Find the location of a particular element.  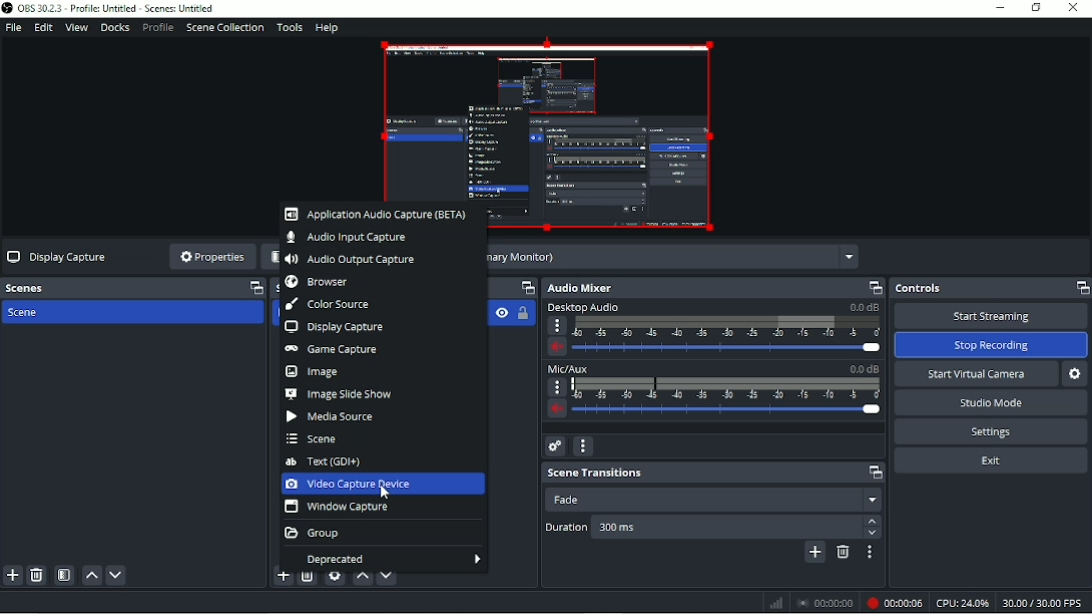

Open source properties is located at coordinates (334, 578).